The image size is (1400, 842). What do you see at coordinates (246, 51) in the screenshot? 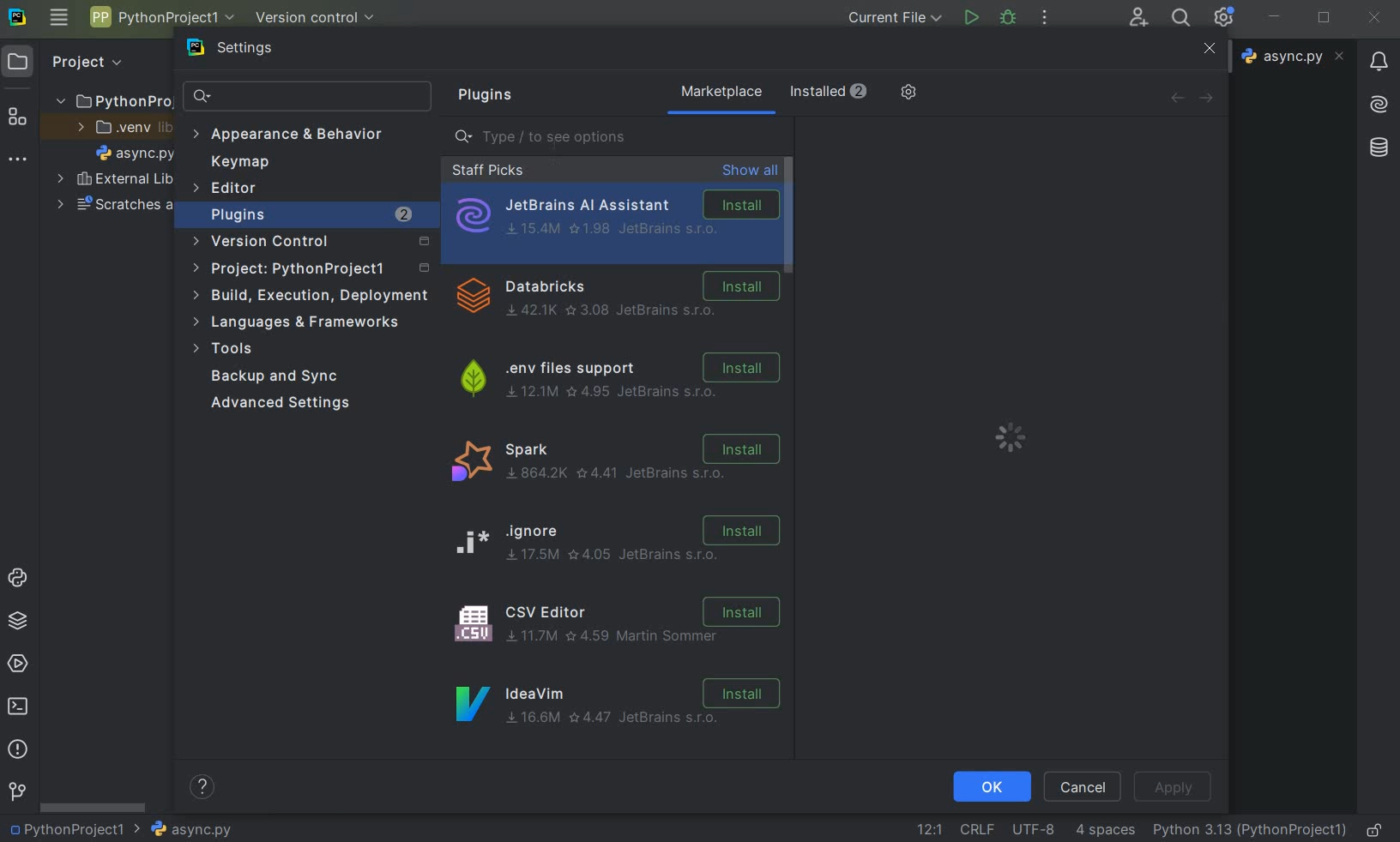
I see `settings` at bounding box center [246, 51].